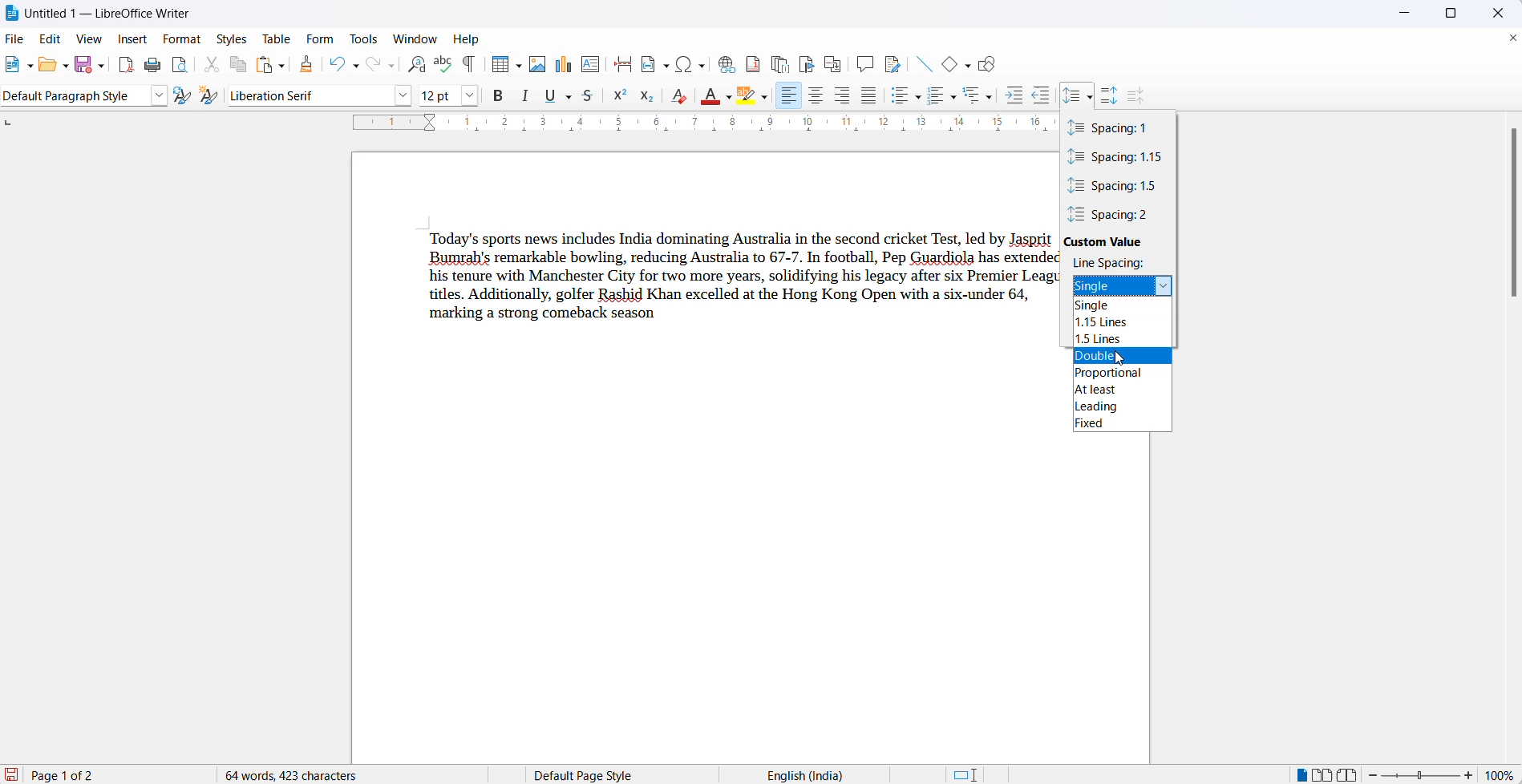 The width and height of the screenshot is (1522, 784). What do you see at coordinates (62, 66) in the screenshot?
I see `open options` at bounding box center [62, 66].